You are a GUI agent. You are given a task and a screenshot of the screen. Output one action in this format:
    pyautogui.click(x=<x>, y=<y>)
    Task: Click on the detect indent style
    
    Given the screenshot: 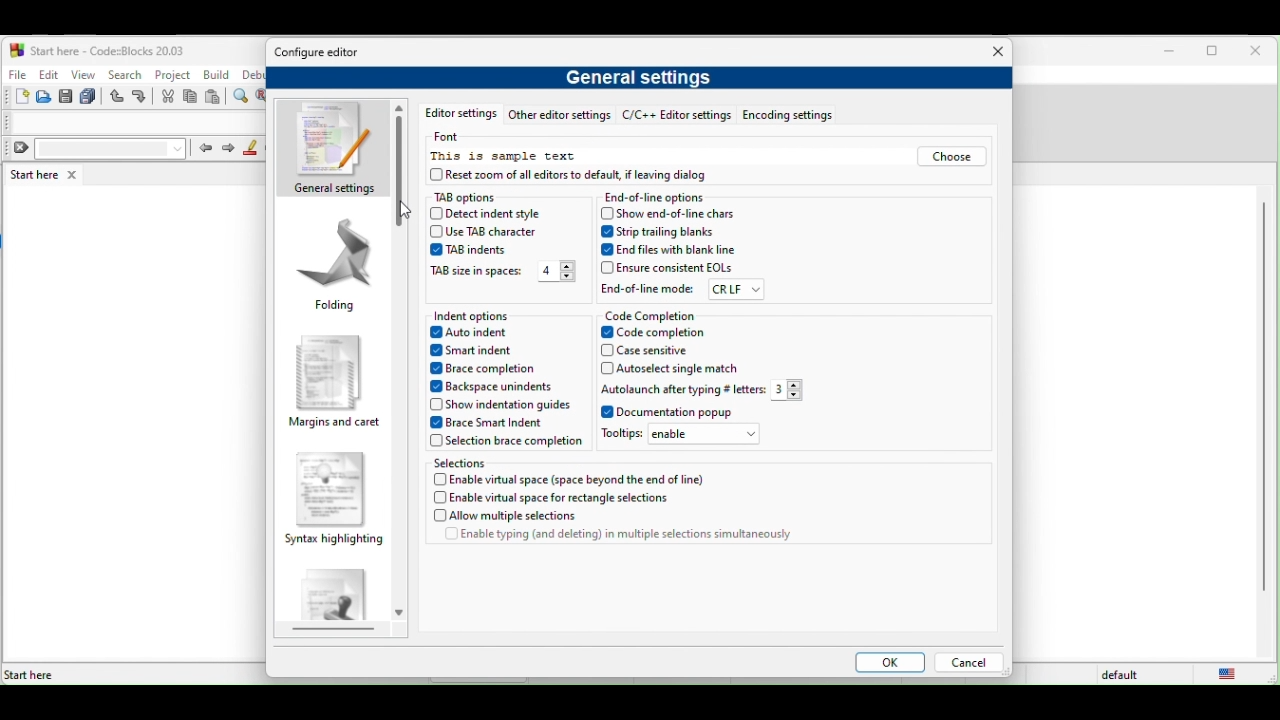 What is the action you would take?
    pyautogui.click(x=504, y=215)
    